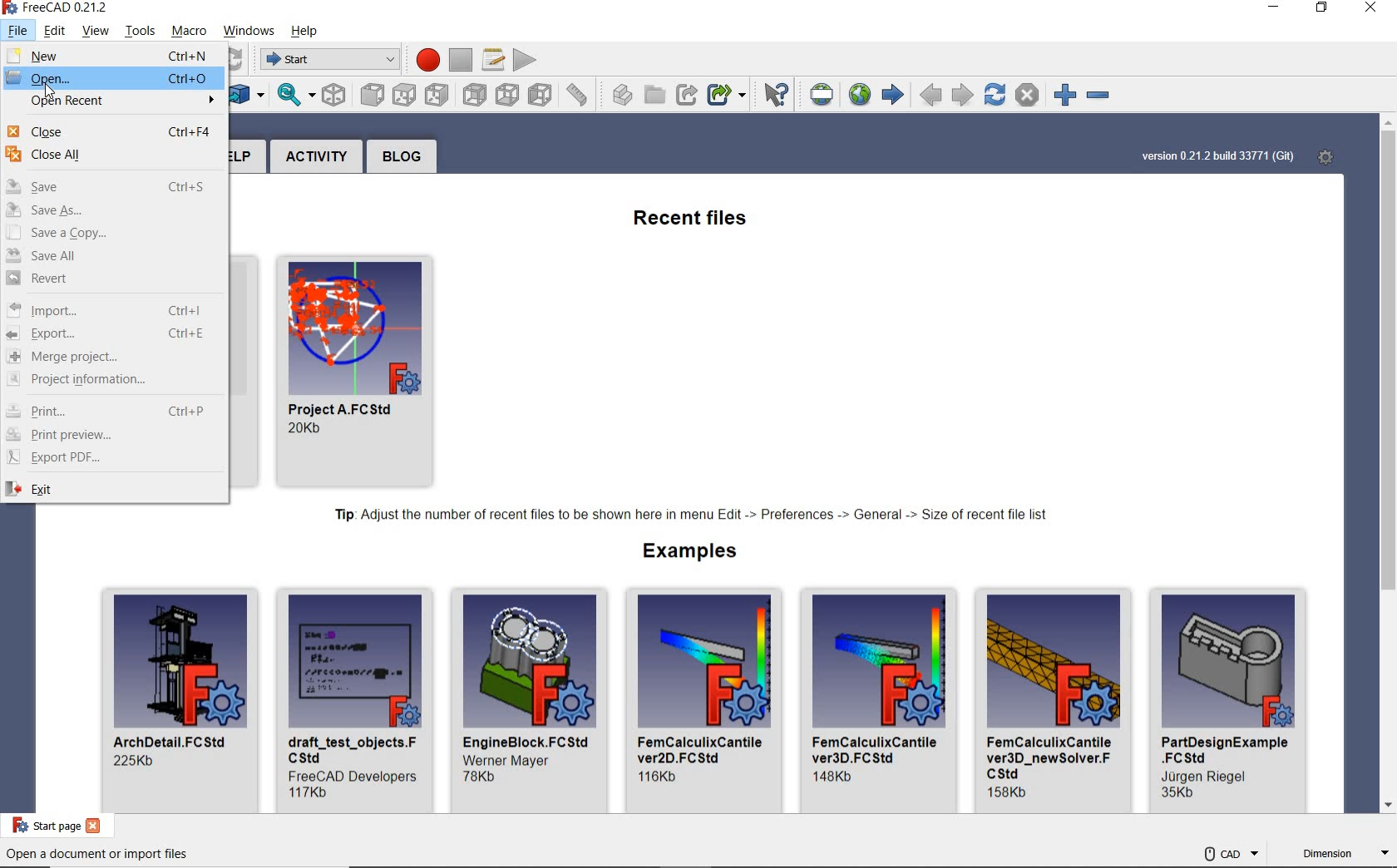  I want to click on MACROS, so click(493, 61).